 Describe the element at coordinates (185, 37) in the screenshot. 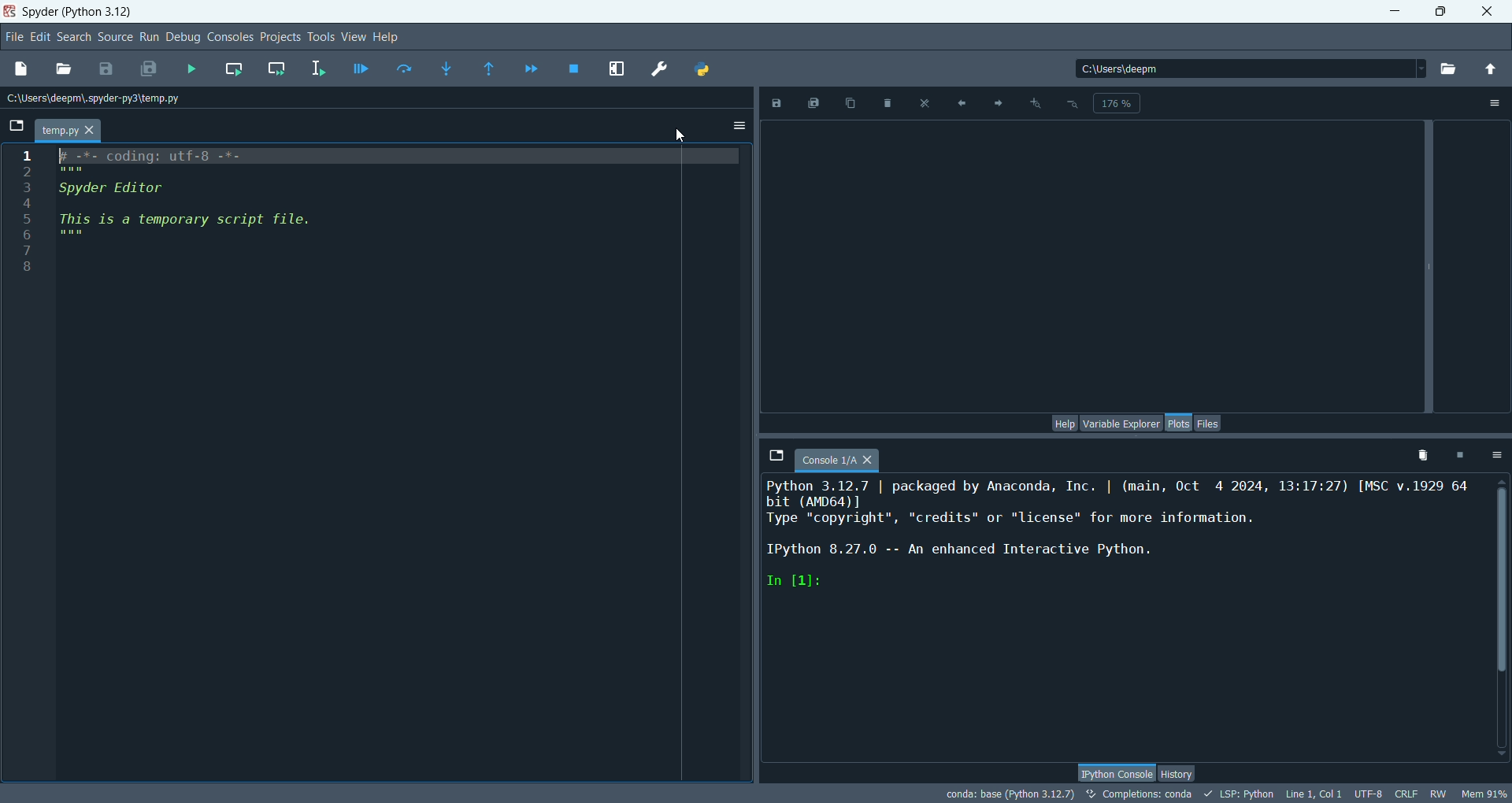

I see `debug` at that location.